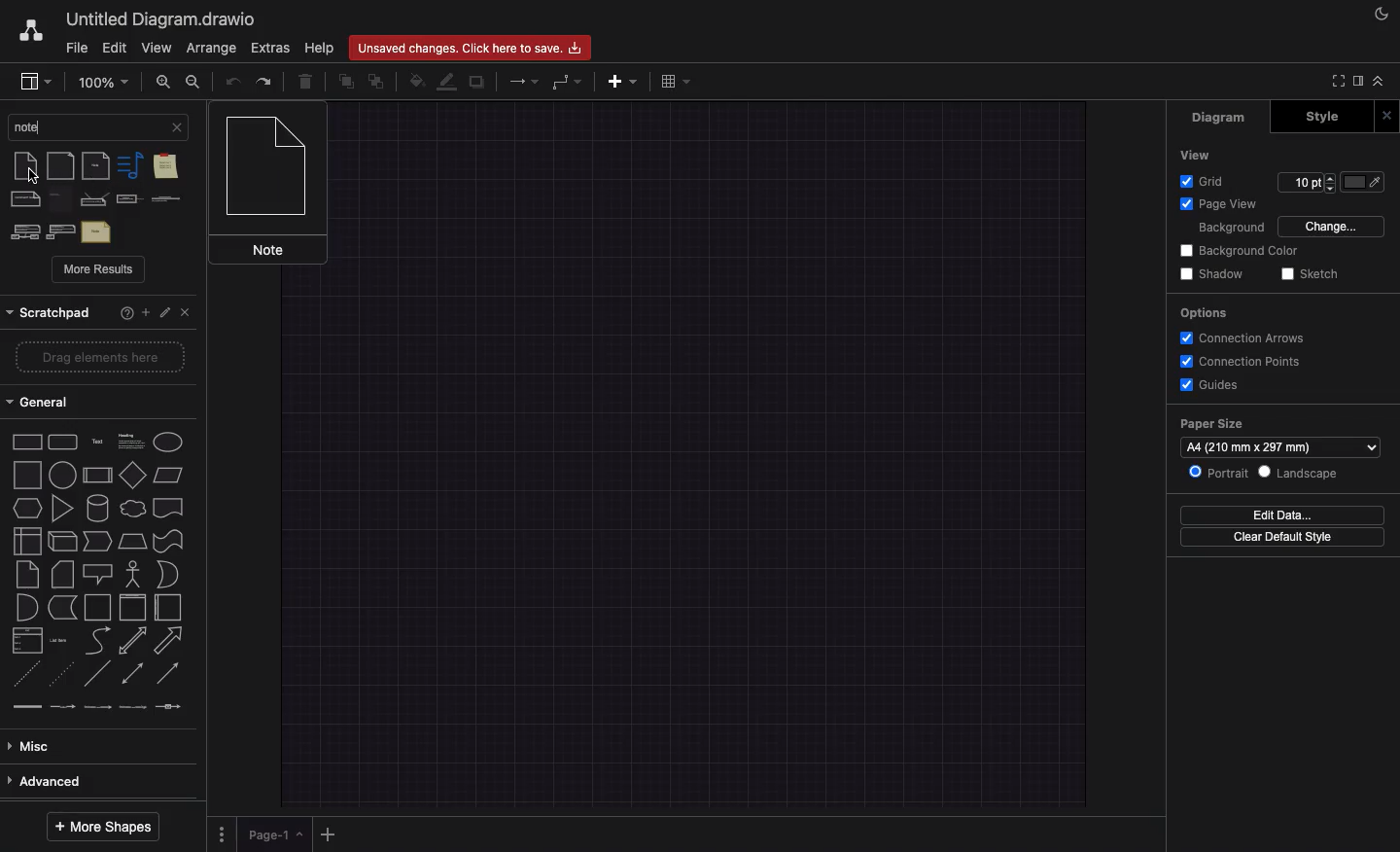  I want to click on dotted line, so click(62, 677).